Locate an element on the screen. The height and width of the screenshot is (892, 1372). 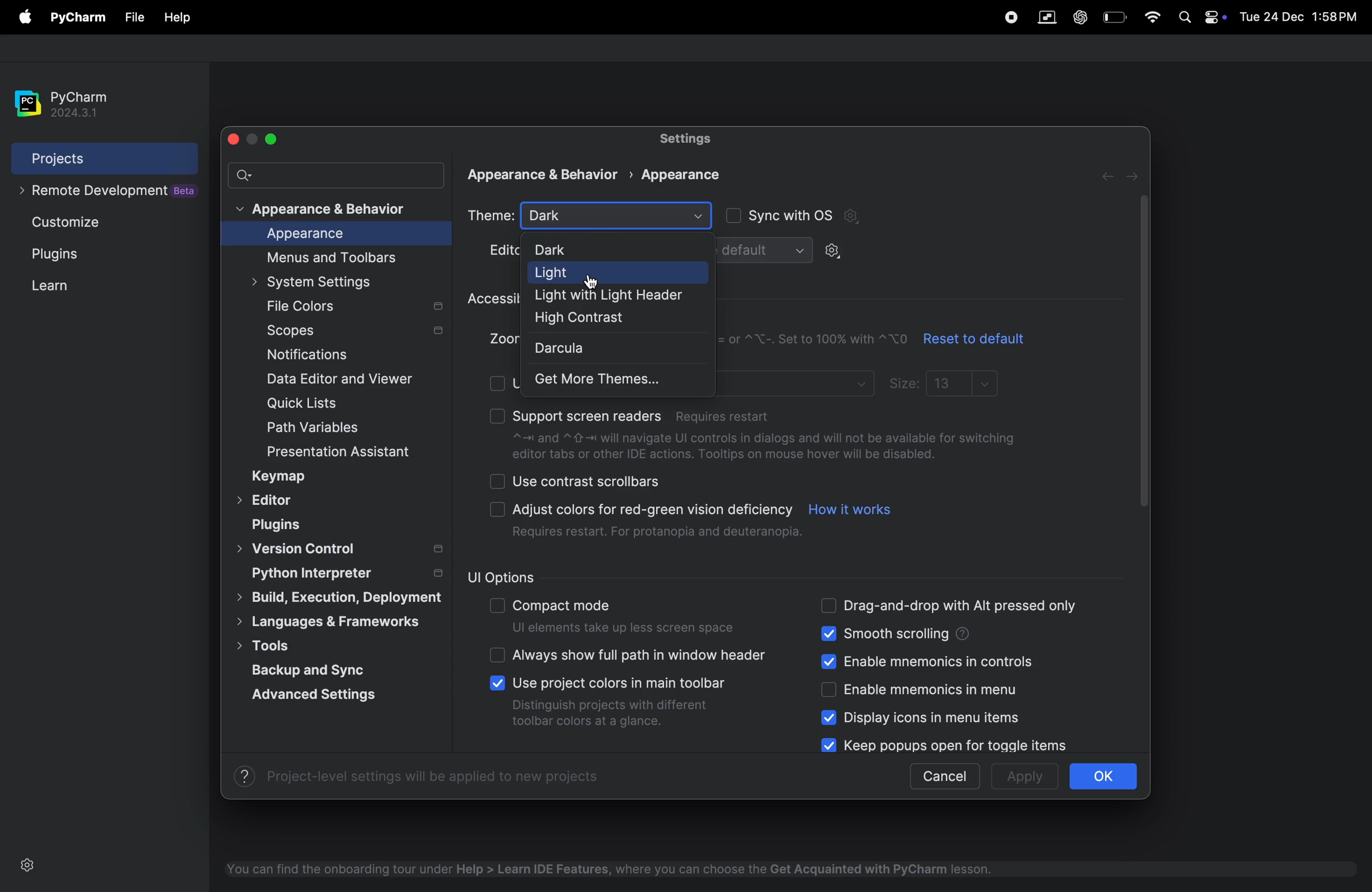
notifications is located at coordinates (313, 356).